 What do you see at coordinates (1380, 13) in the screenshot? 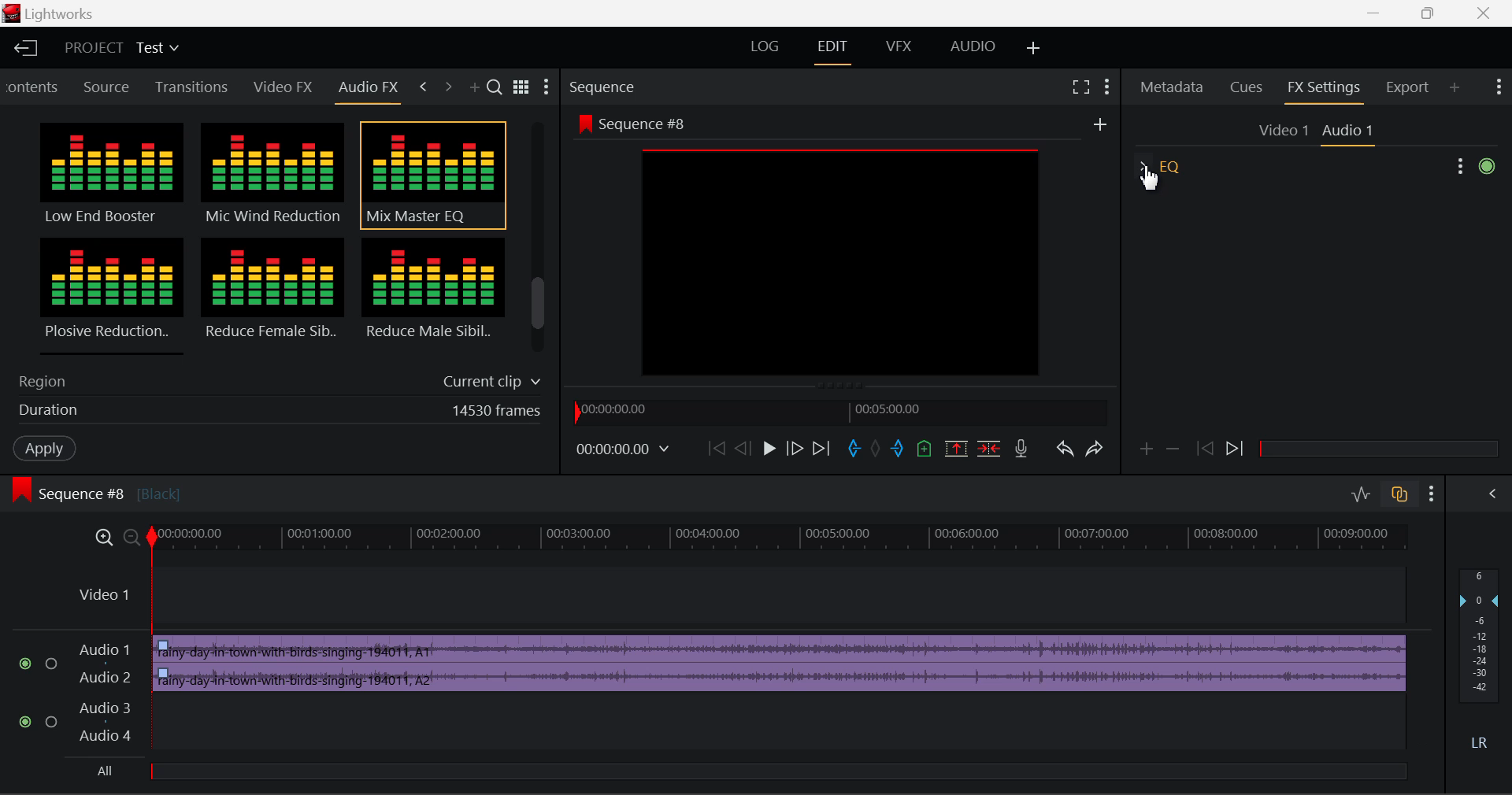
I see `Restore Down` at bounding box center [1380, 13].